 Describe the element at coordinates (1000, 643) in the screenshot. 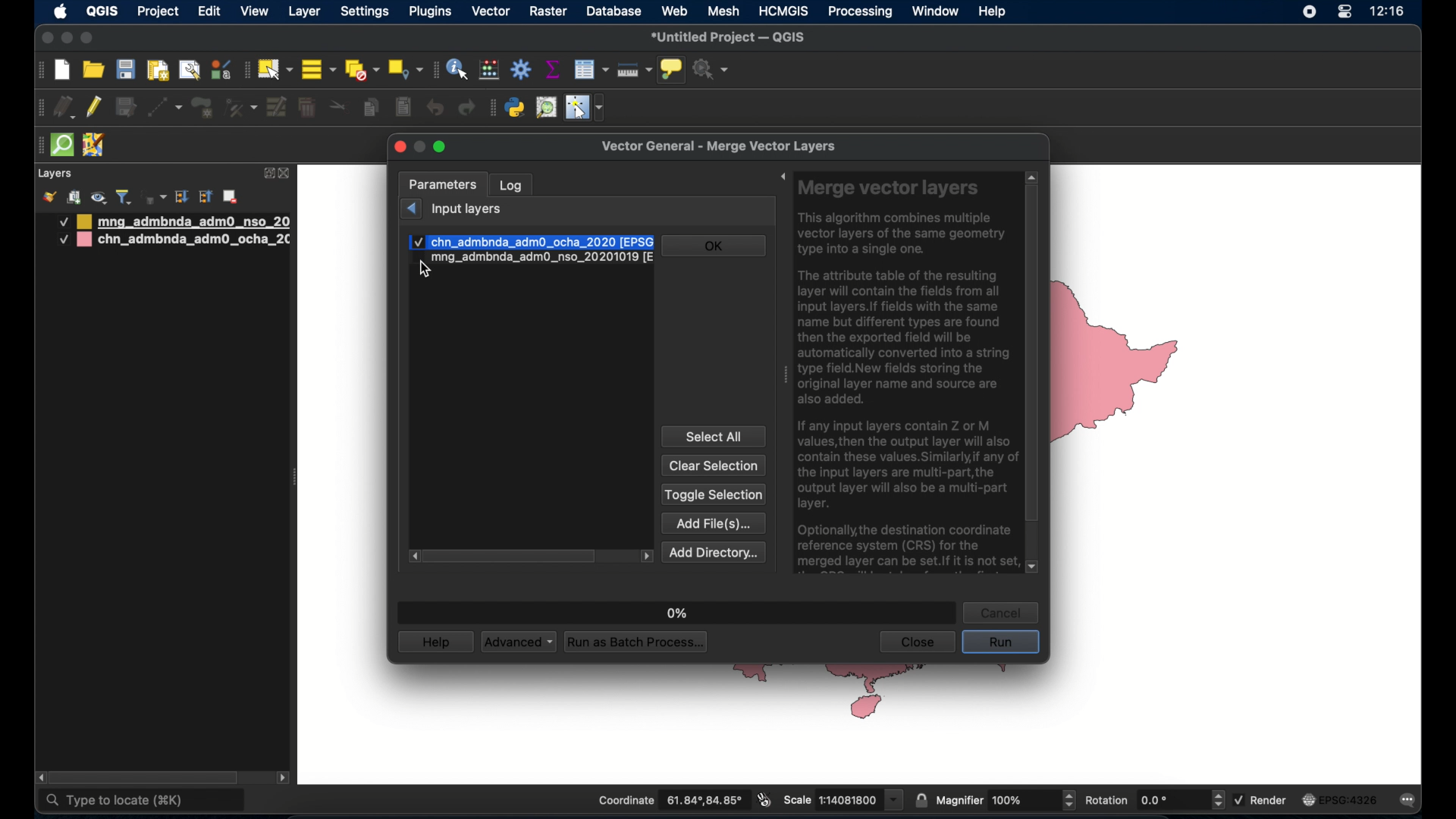

I see `run` at that location.